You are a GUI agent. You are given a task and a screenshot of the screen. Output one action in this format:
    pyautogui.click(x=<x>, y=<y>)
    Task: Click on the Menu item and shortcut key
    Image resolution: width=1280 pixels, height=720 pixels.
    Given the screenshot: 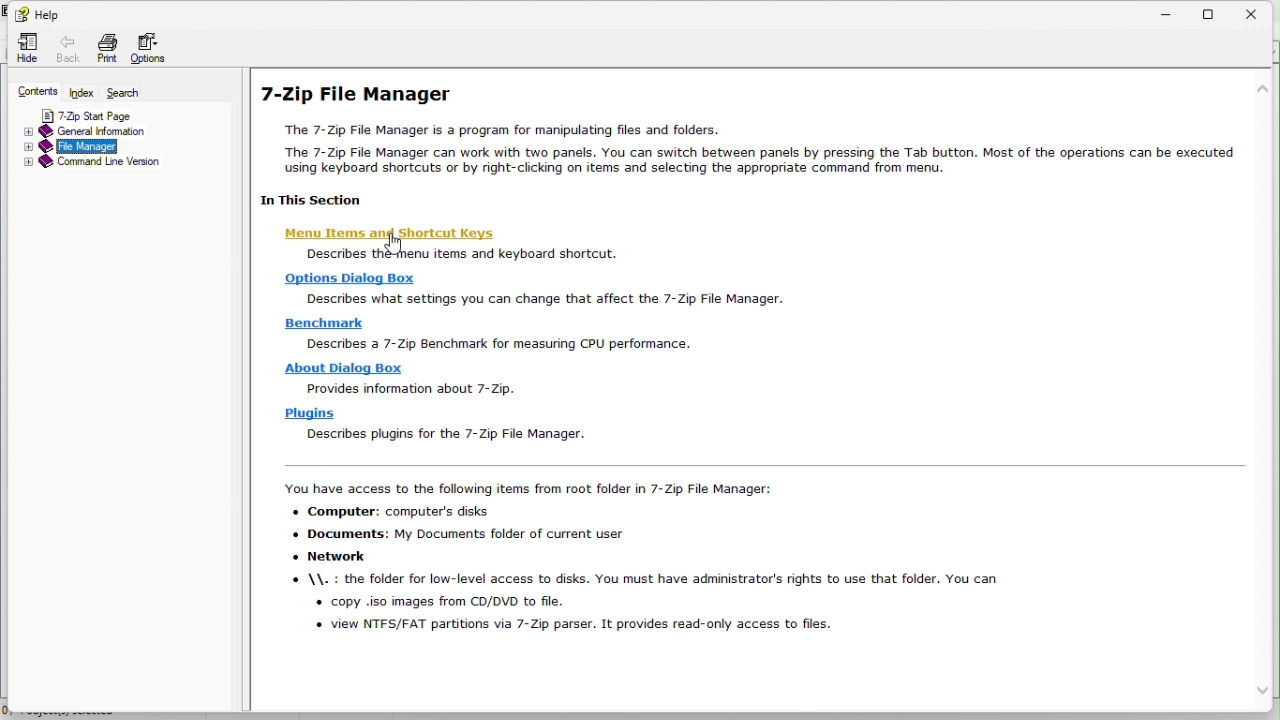 What is the action you would take?
    pyautogui.click(x=448, y=232)
    